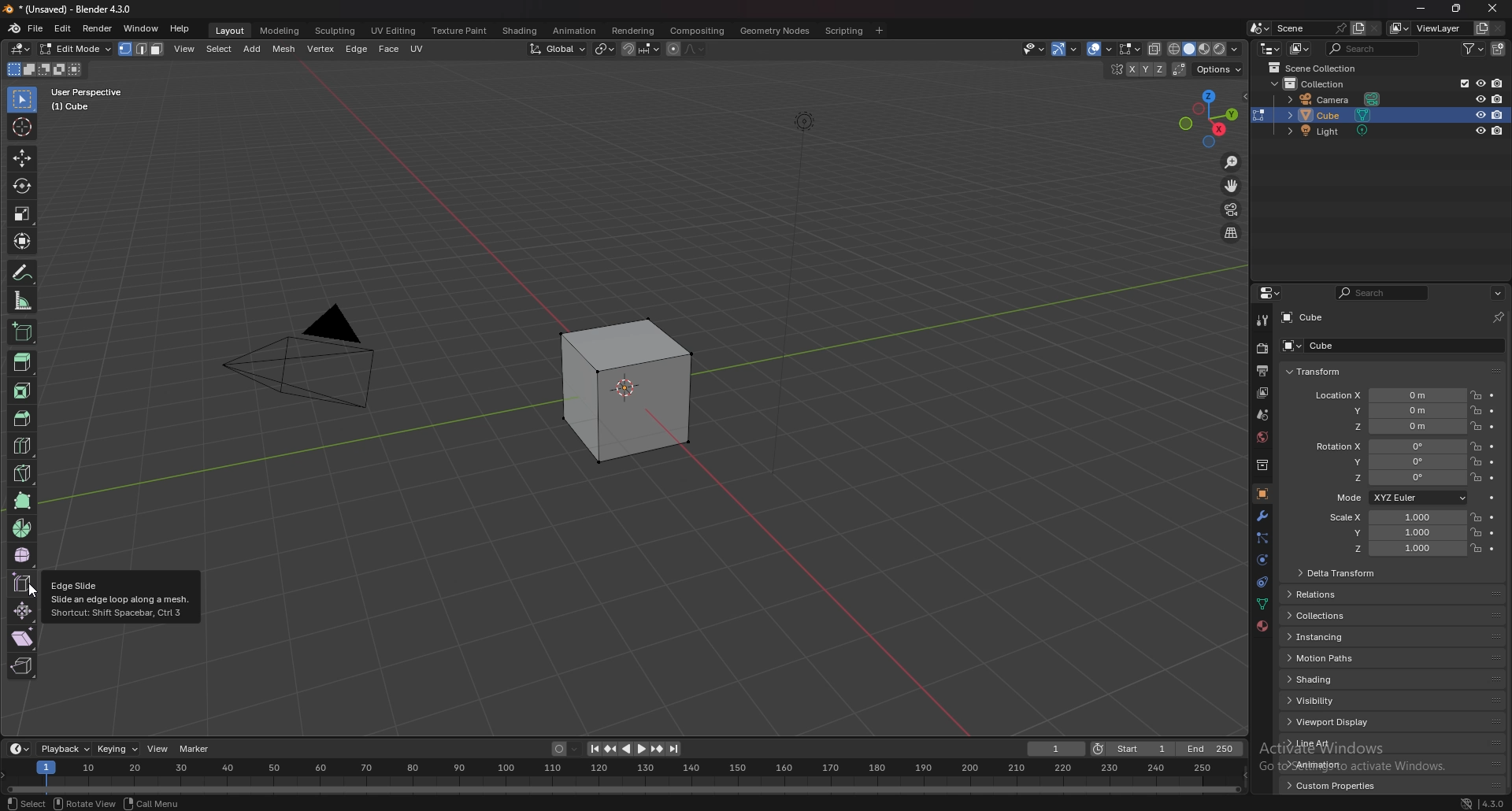  Describe the element at coordinates (63, 30) in the screenshot. I see `edit` at that location.